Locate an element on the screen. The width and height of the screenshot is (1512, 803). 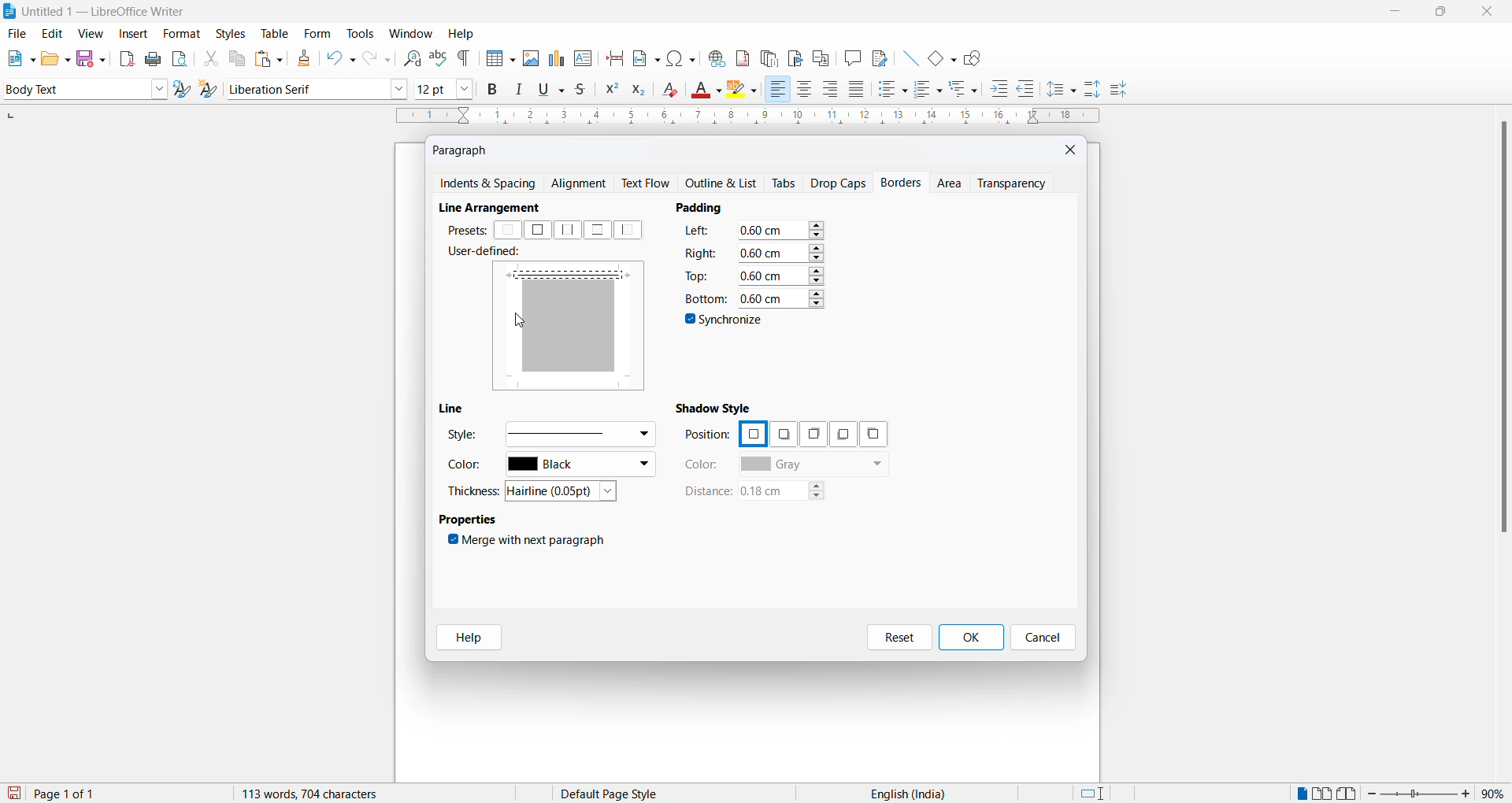
outline is located at coordinates (725, 184).